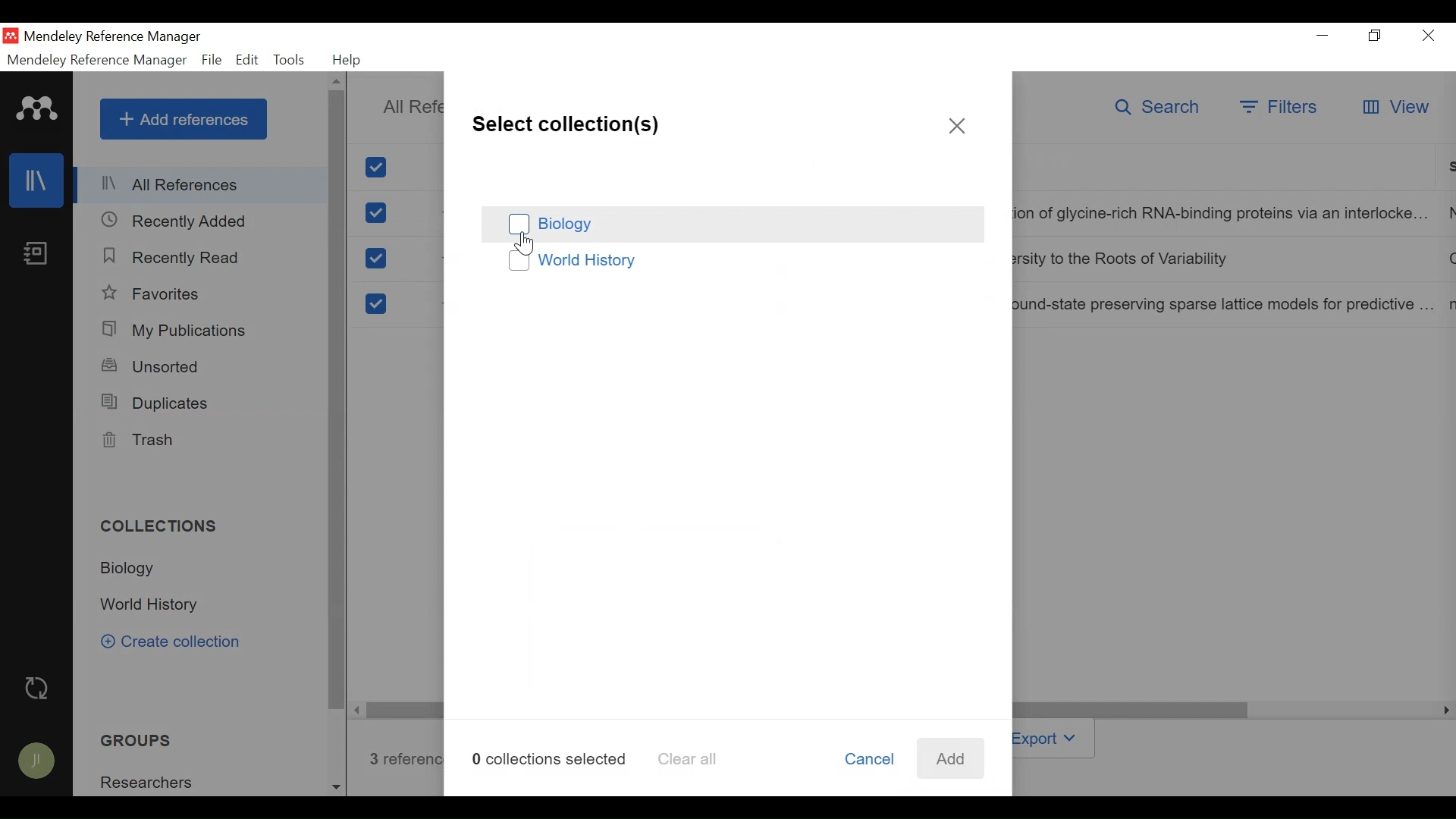 This screenshot has width=1456, height=819. I want to click on File, so click(212, 60).